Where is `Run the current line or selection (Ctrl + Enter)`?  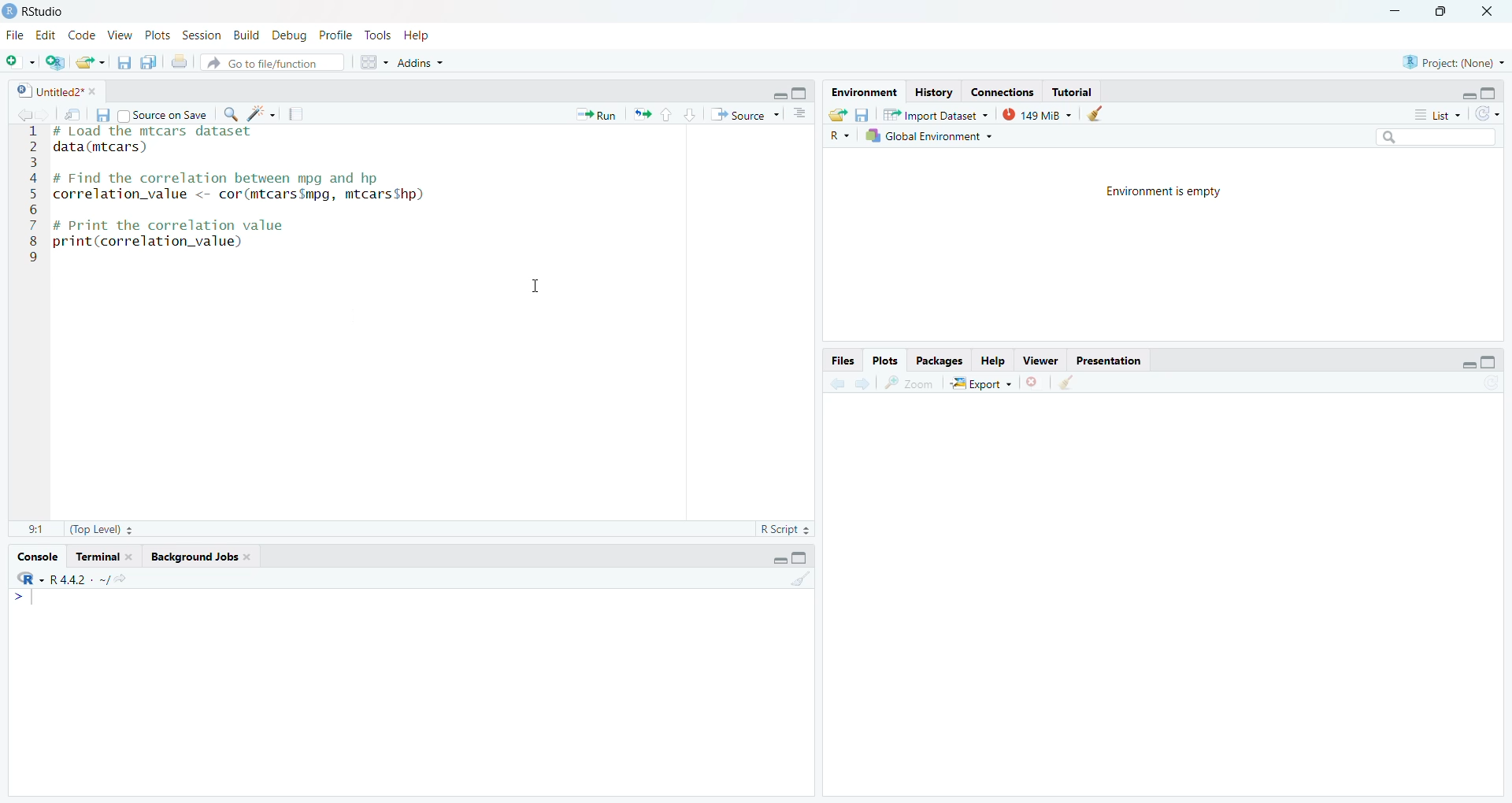
Run the current line or selection (Ctrl + Enter) is located at coordinates (598, 113).